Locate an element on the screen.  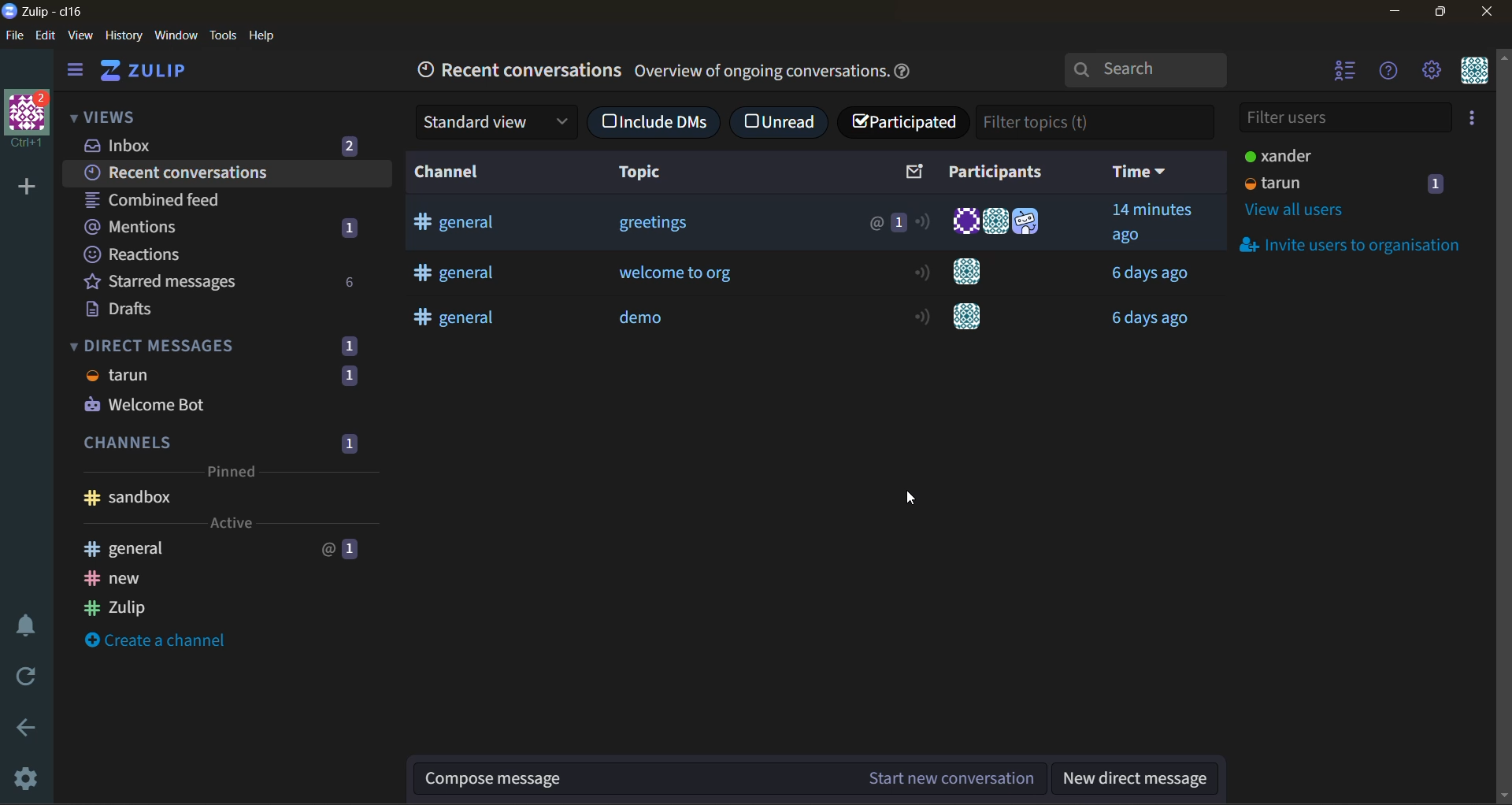
general is located at coordinates (466, 325).